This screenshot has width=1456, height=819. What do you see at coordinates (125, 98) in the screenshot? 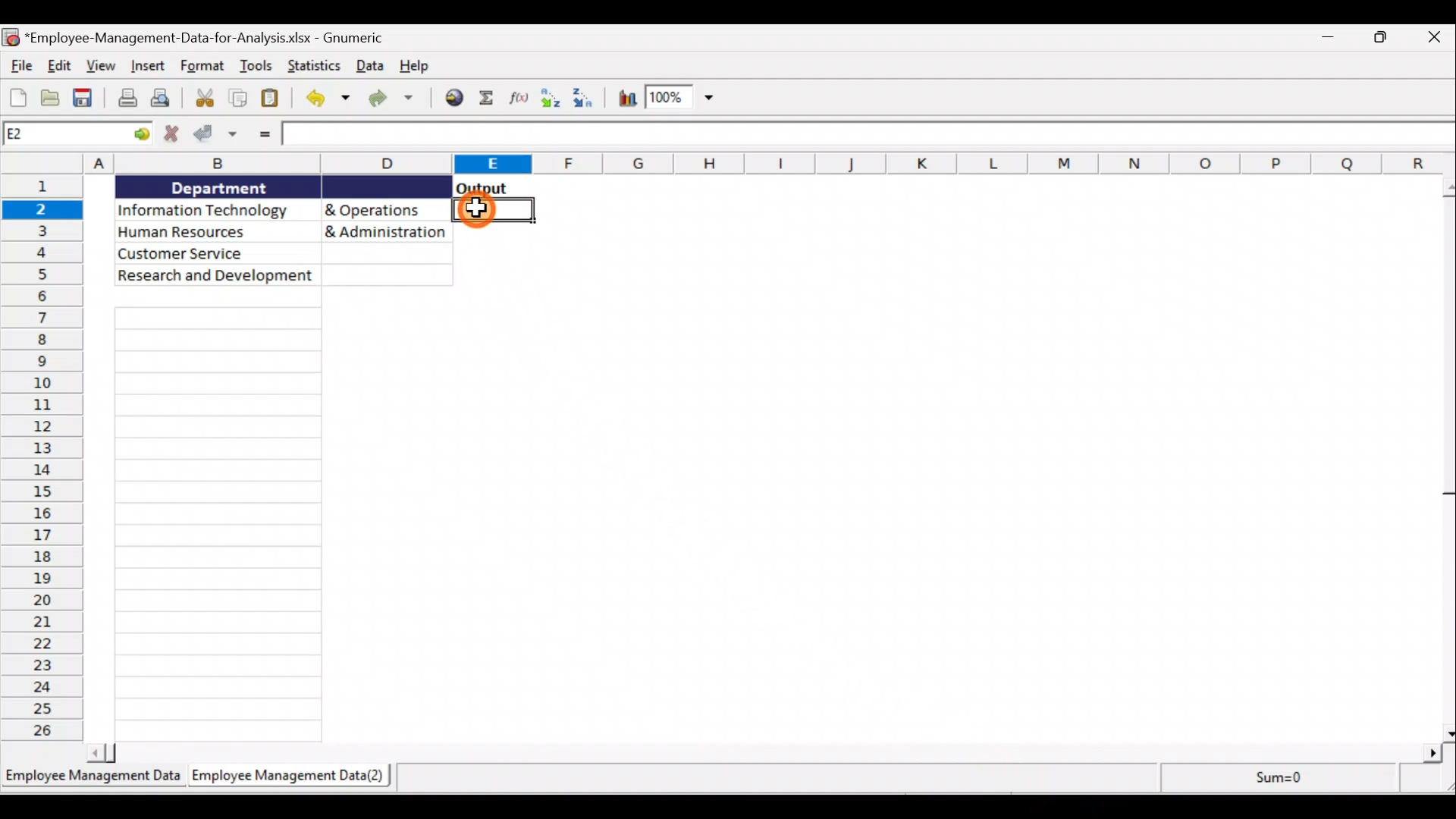
I see `Print the current file` at bounding box center [125, 98].